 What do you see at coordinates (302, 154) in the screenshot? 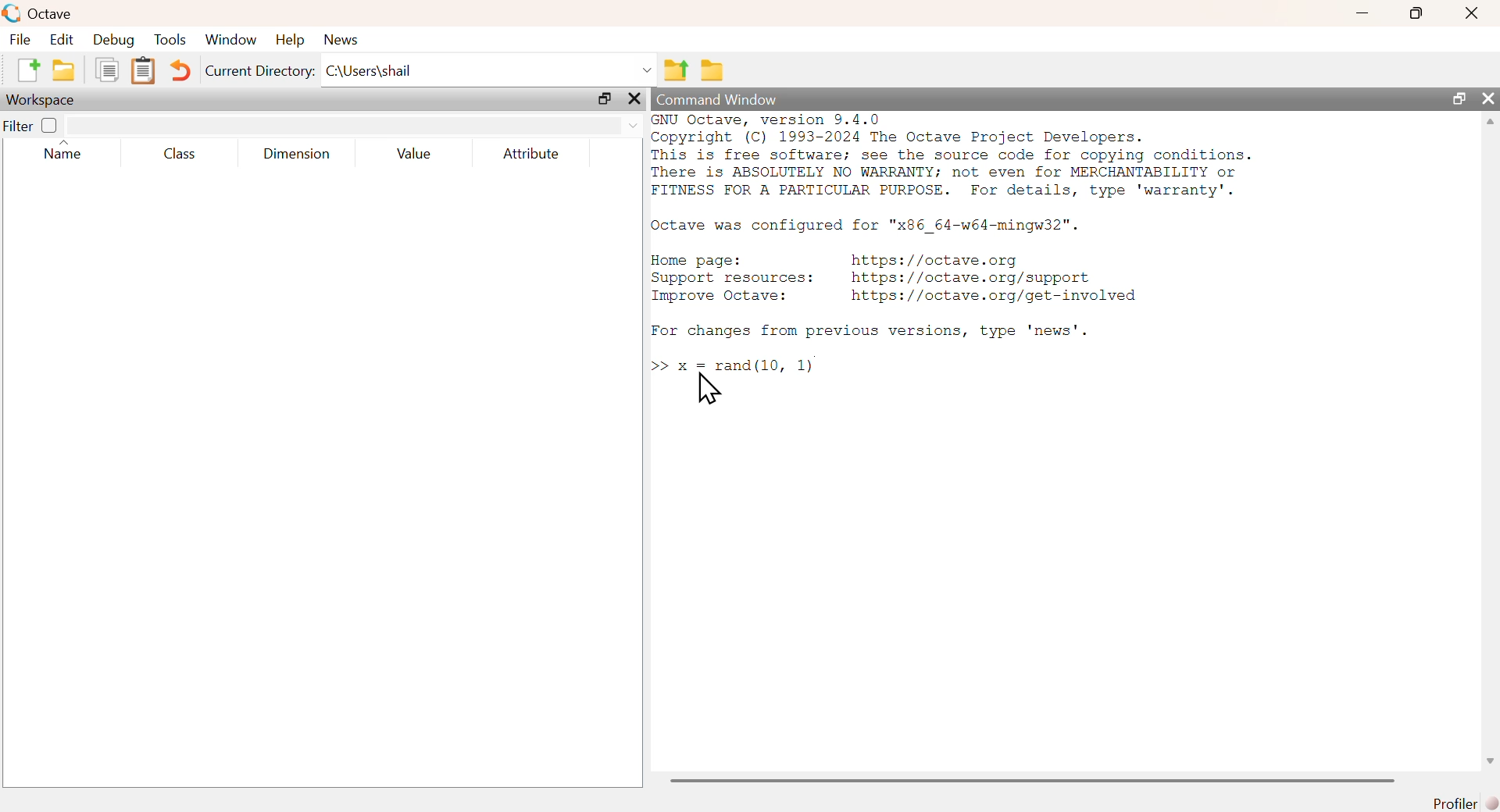
I see `Dimension` at bounding box center [302, 154].